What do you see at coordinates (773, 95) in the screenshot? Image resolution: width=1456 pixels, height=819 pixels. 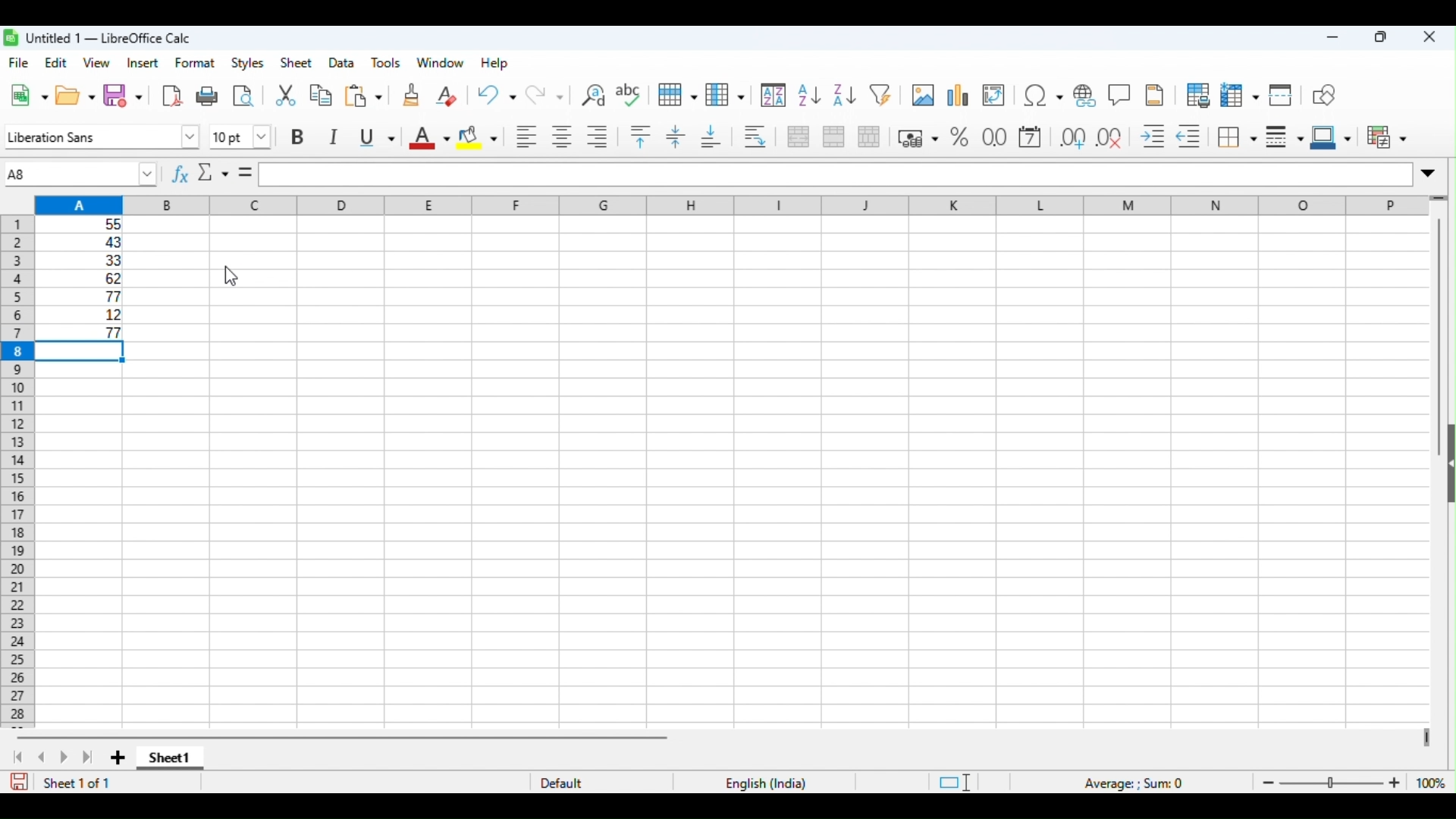 I see `sort` at bounding box center [773, 95].